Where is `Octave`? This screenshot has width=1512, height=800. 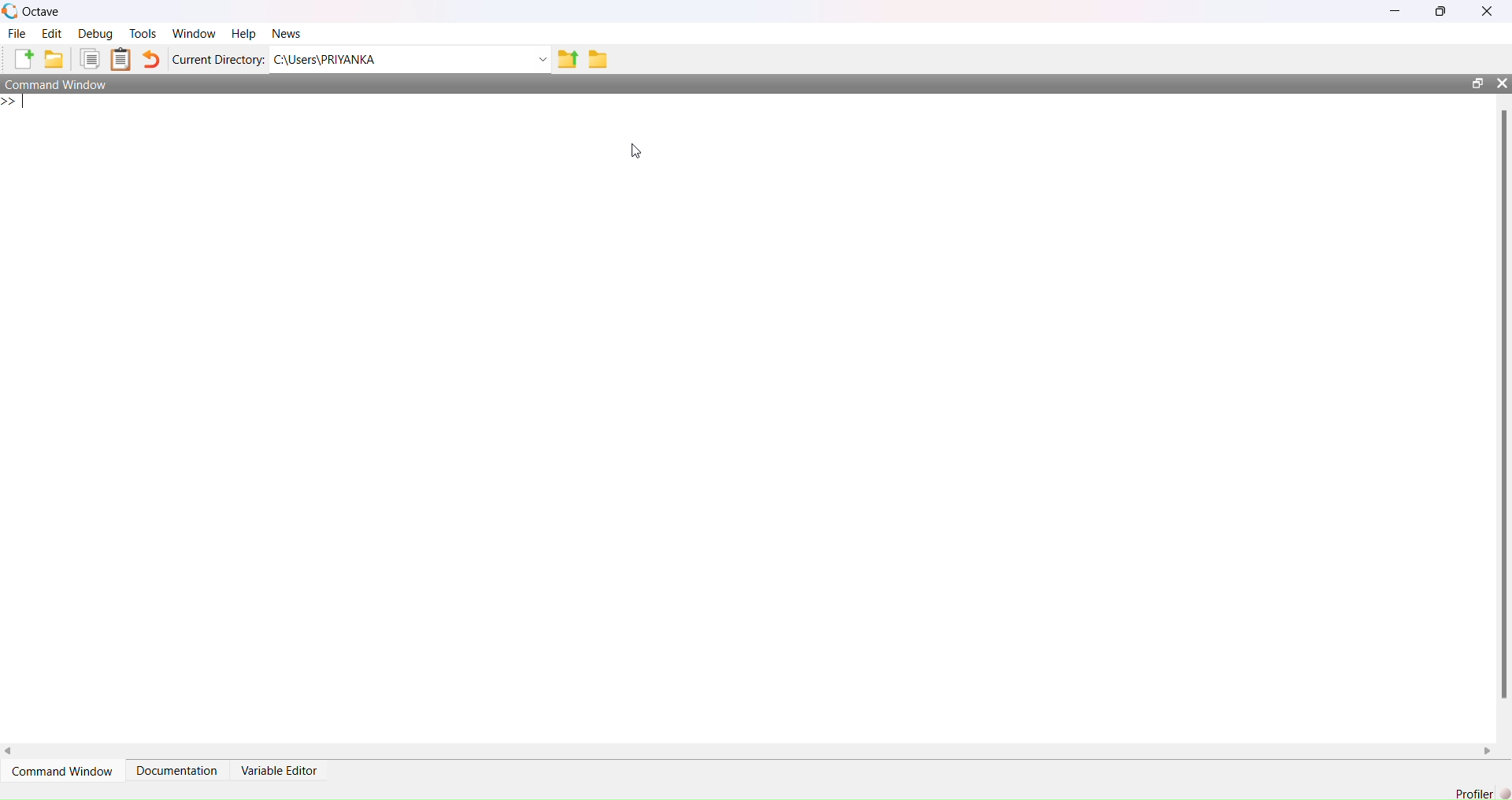
Octave is located at coordinates (43, 12).